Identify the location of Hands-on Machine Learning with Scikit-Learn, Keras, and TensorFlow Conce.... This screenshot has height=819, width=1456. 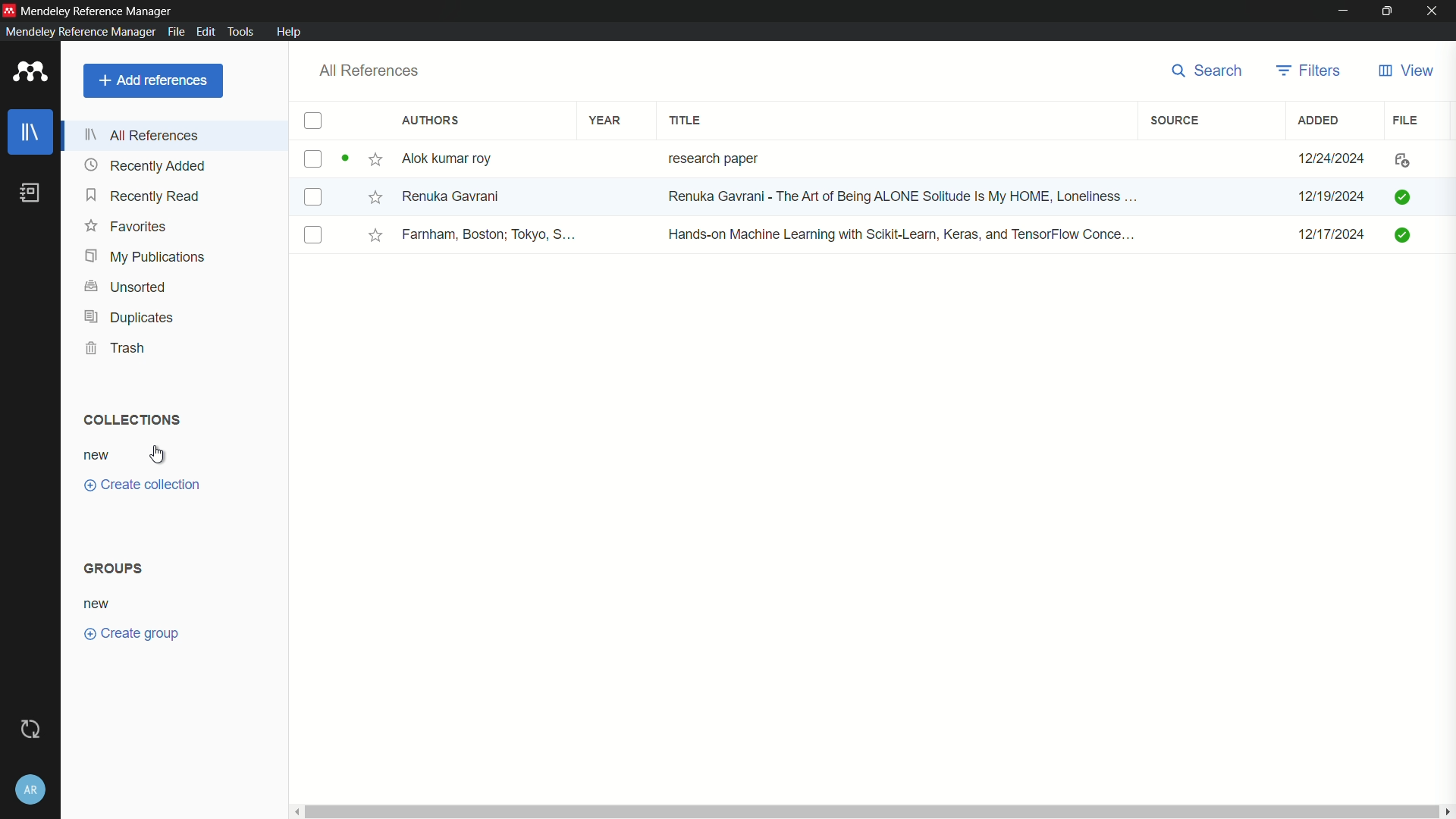
(905, 234).